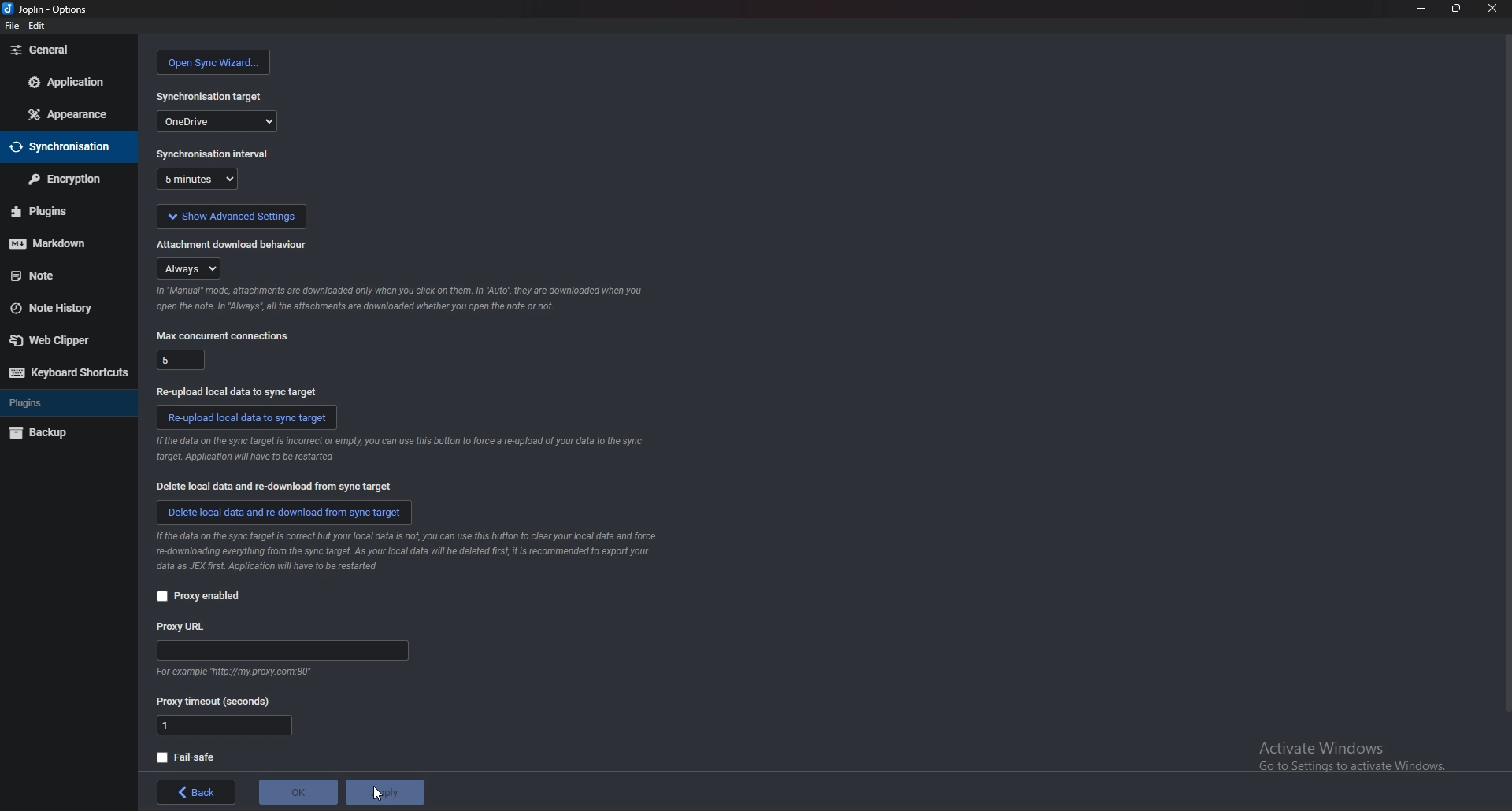  I want to click on options, so click(47, 9).